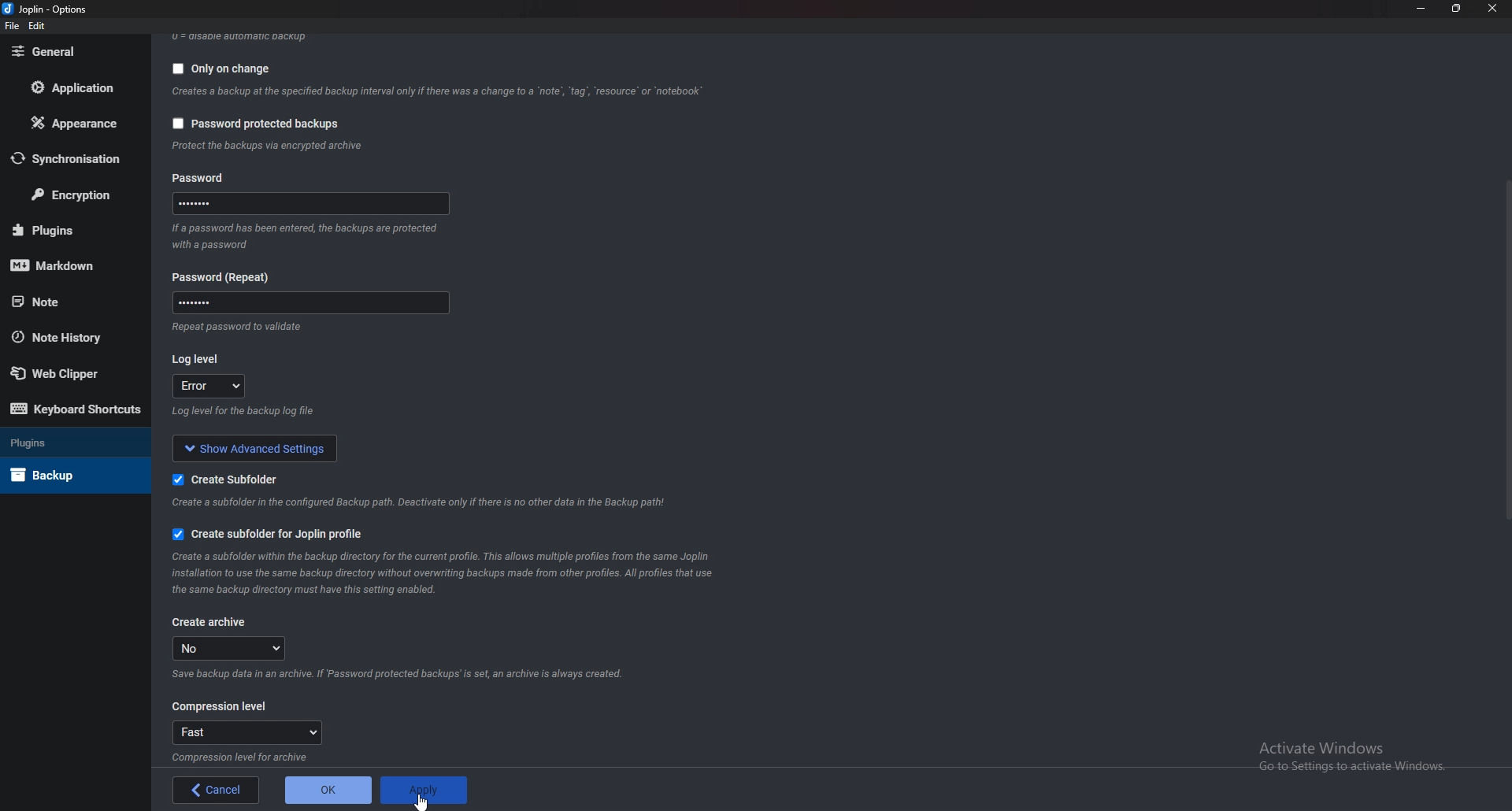 The width and height of the screenshot is (1512, 811). I want to click on log level, so click(209, 387).